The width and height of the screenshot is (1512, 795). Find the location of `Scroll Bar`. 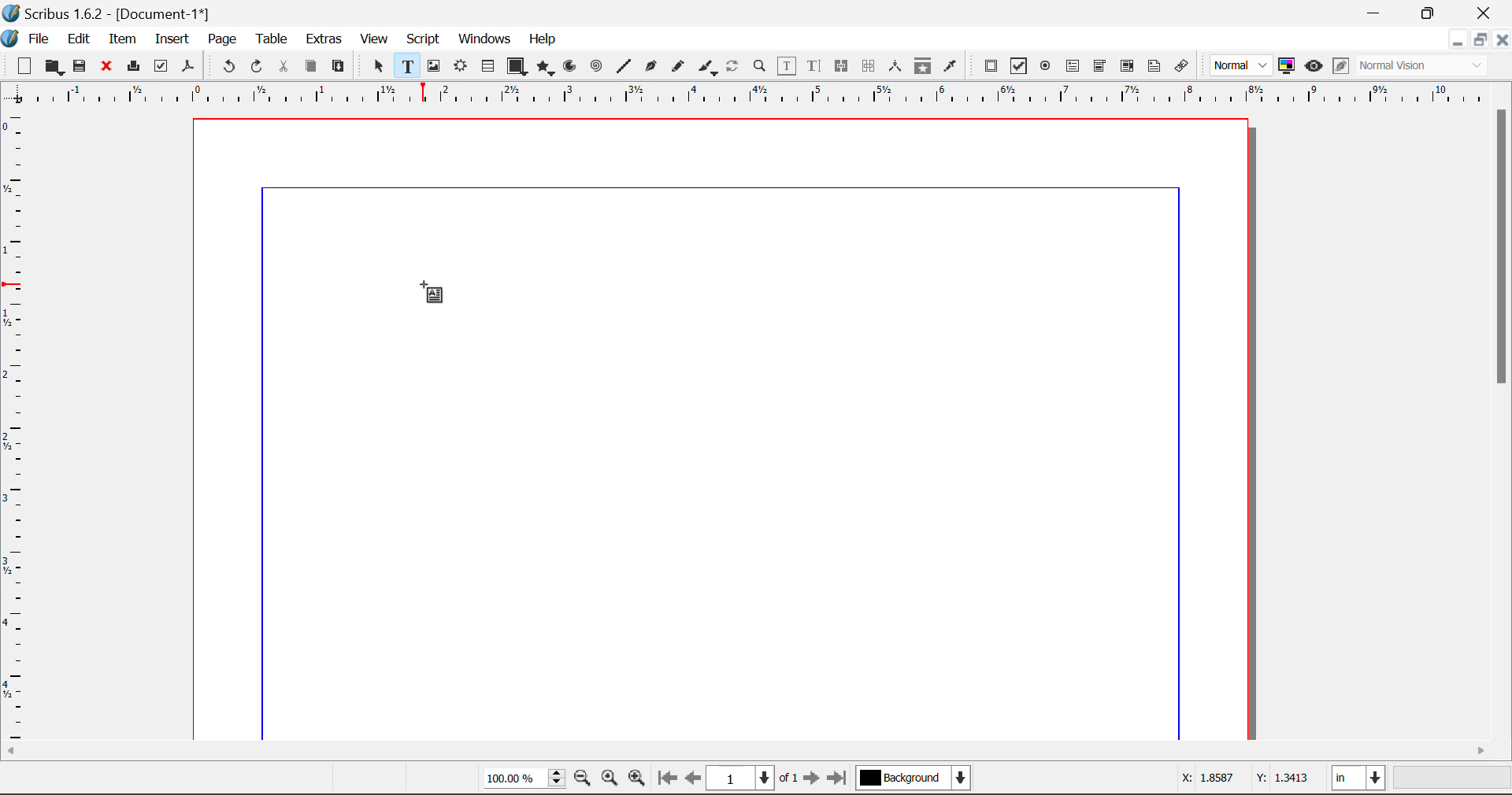

Scroll Bar is located at coordinates (757, 752).